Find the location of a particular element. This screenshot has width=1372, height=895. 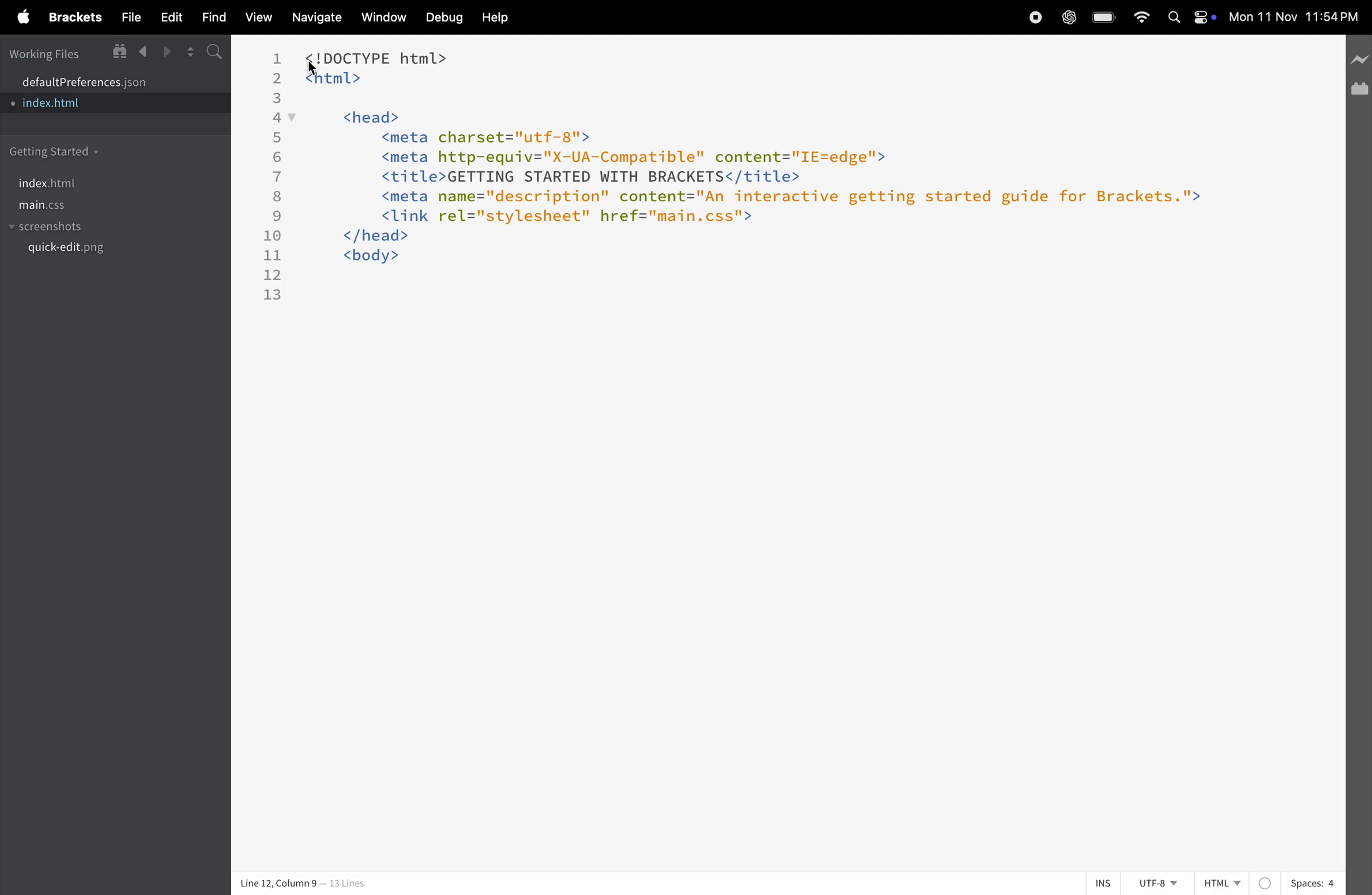

forward is located at coordinates (168, 52).